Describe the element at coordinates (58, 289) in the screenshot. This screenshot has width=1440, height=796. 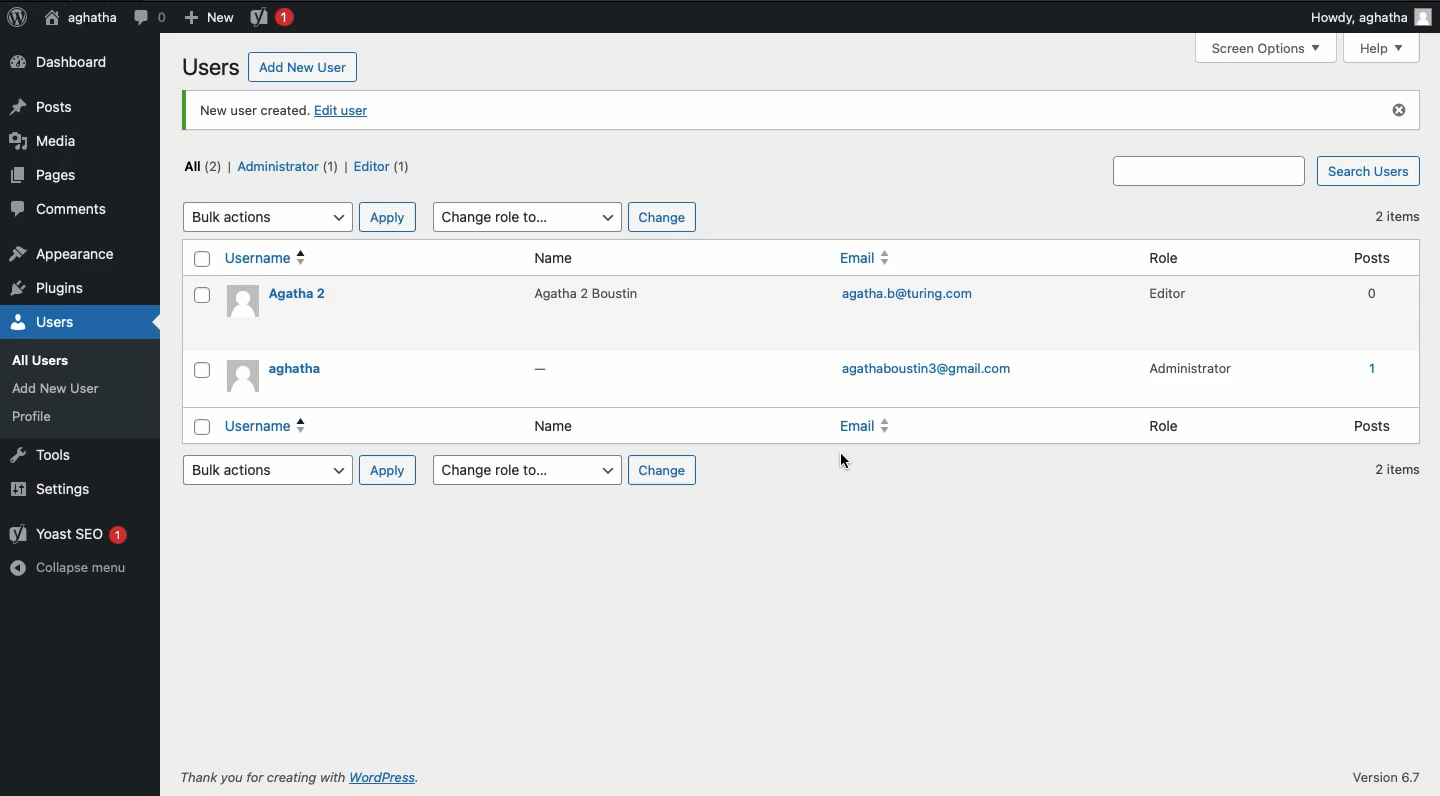
I see `plugins` at that location.